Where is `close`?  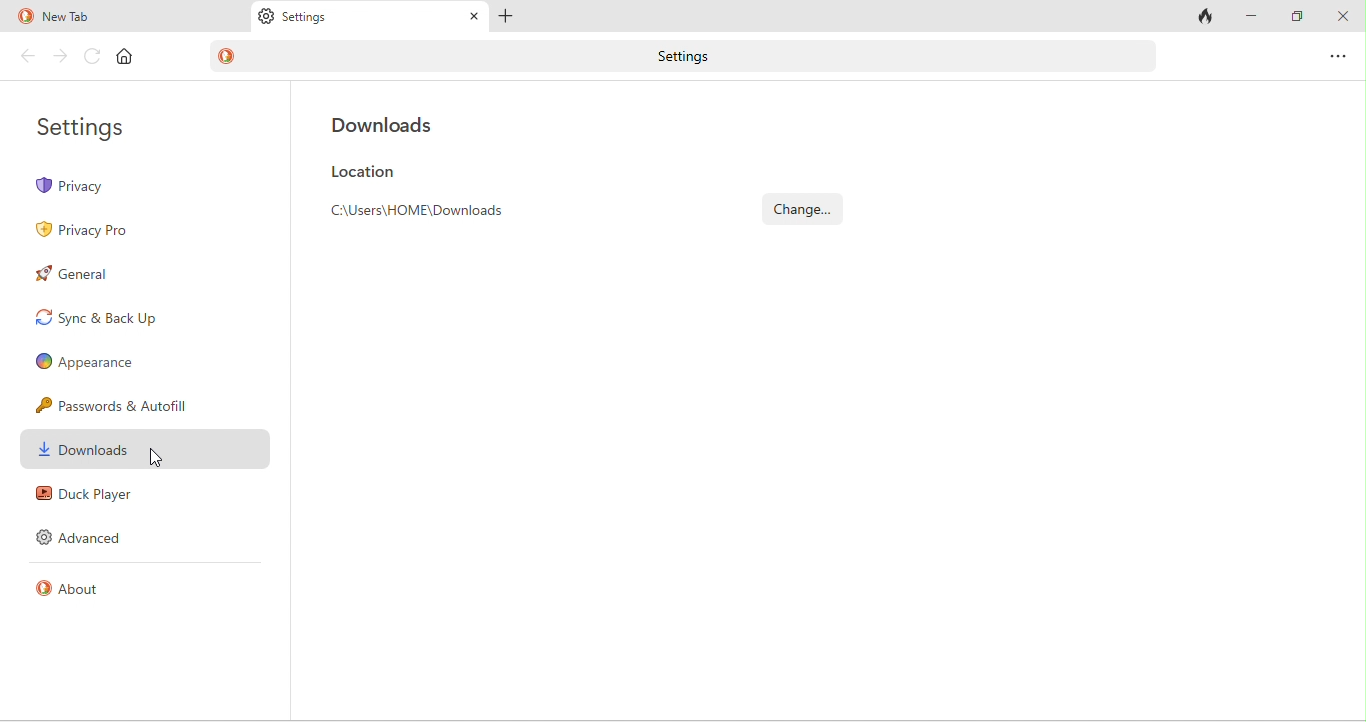 close is located at coordinates (1345, 20).